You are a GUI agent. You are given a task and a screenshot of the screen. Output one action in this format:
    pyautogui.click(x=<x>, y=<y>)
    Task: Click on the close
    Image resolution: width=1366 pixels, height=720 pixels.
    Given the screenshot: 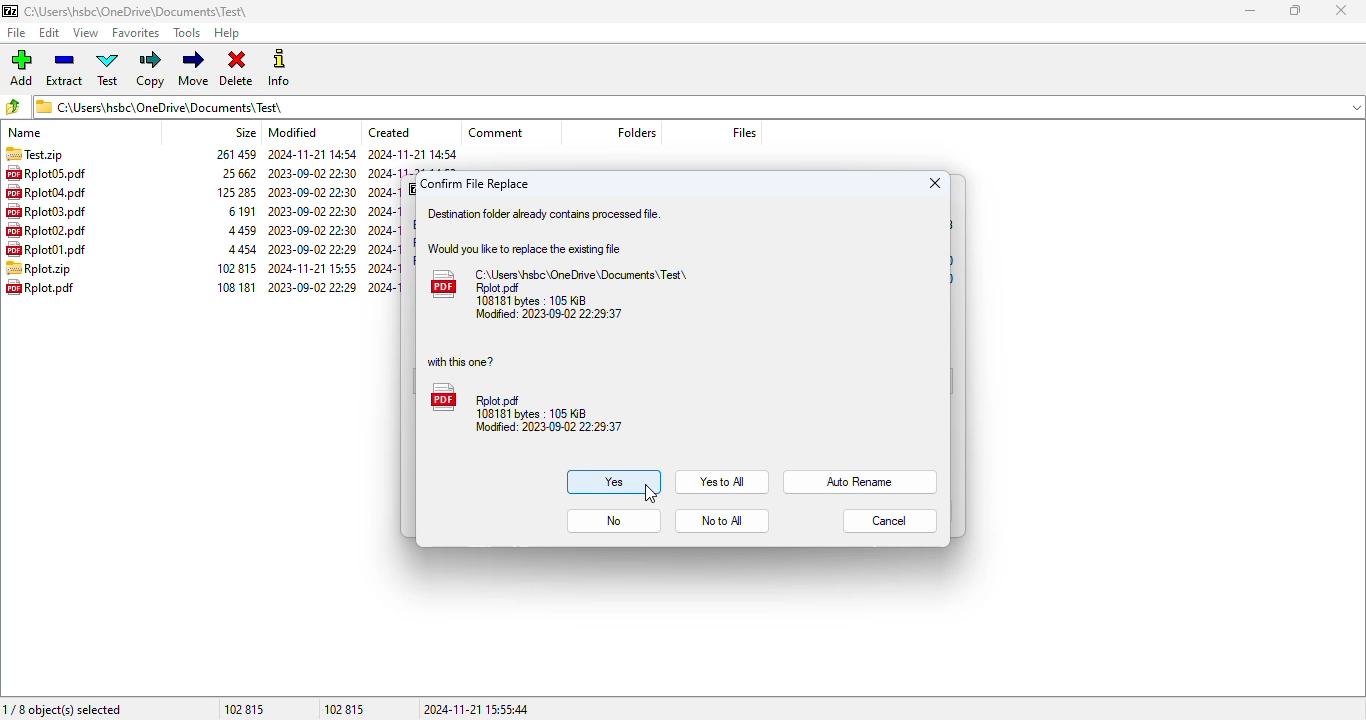 What is the action you would take?
    pyautogui.click(x=936, y=183)
    